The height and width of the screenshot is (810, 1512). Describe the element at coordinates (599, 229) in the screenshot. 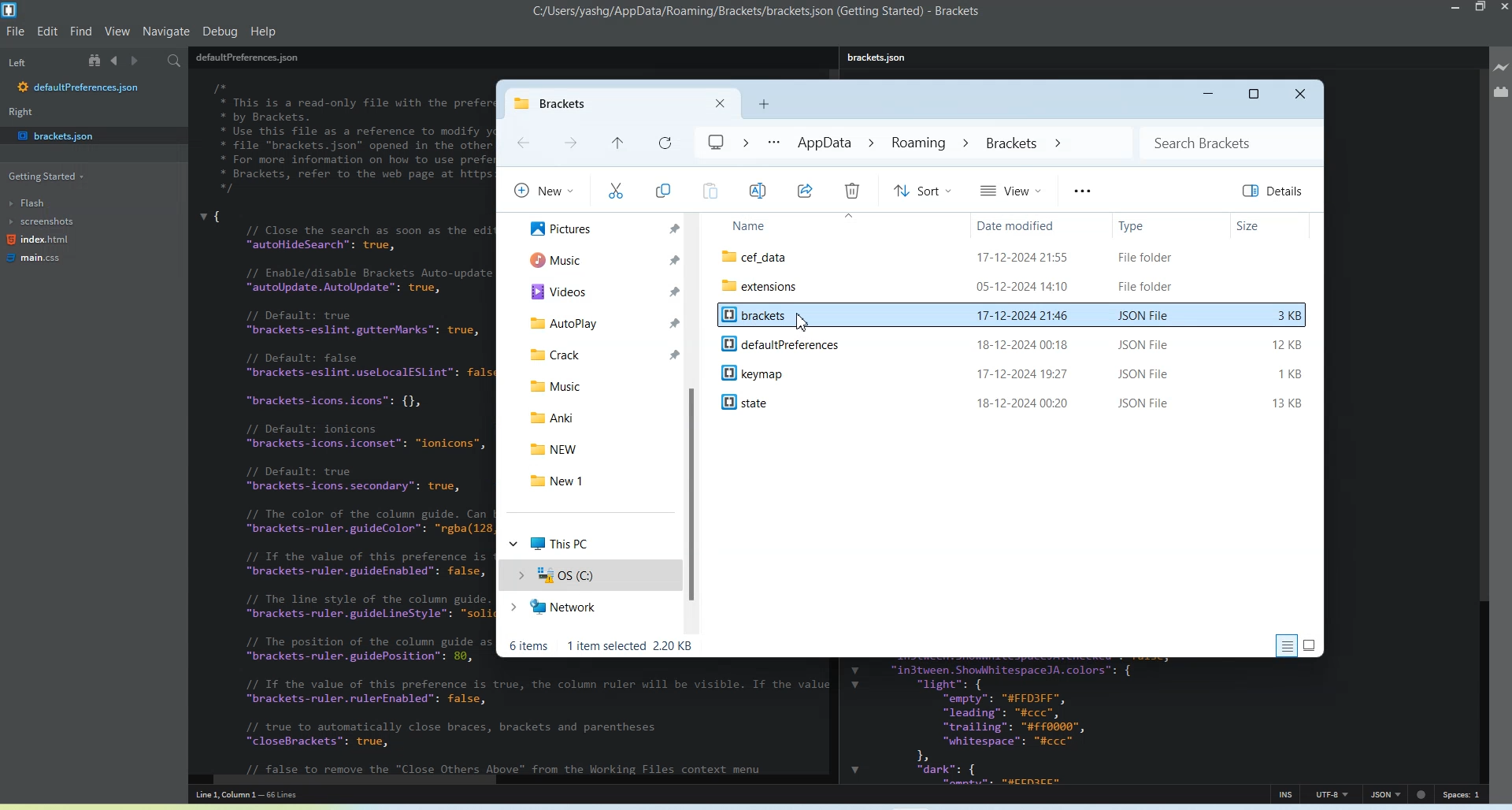

I see `Pictures` at that location.